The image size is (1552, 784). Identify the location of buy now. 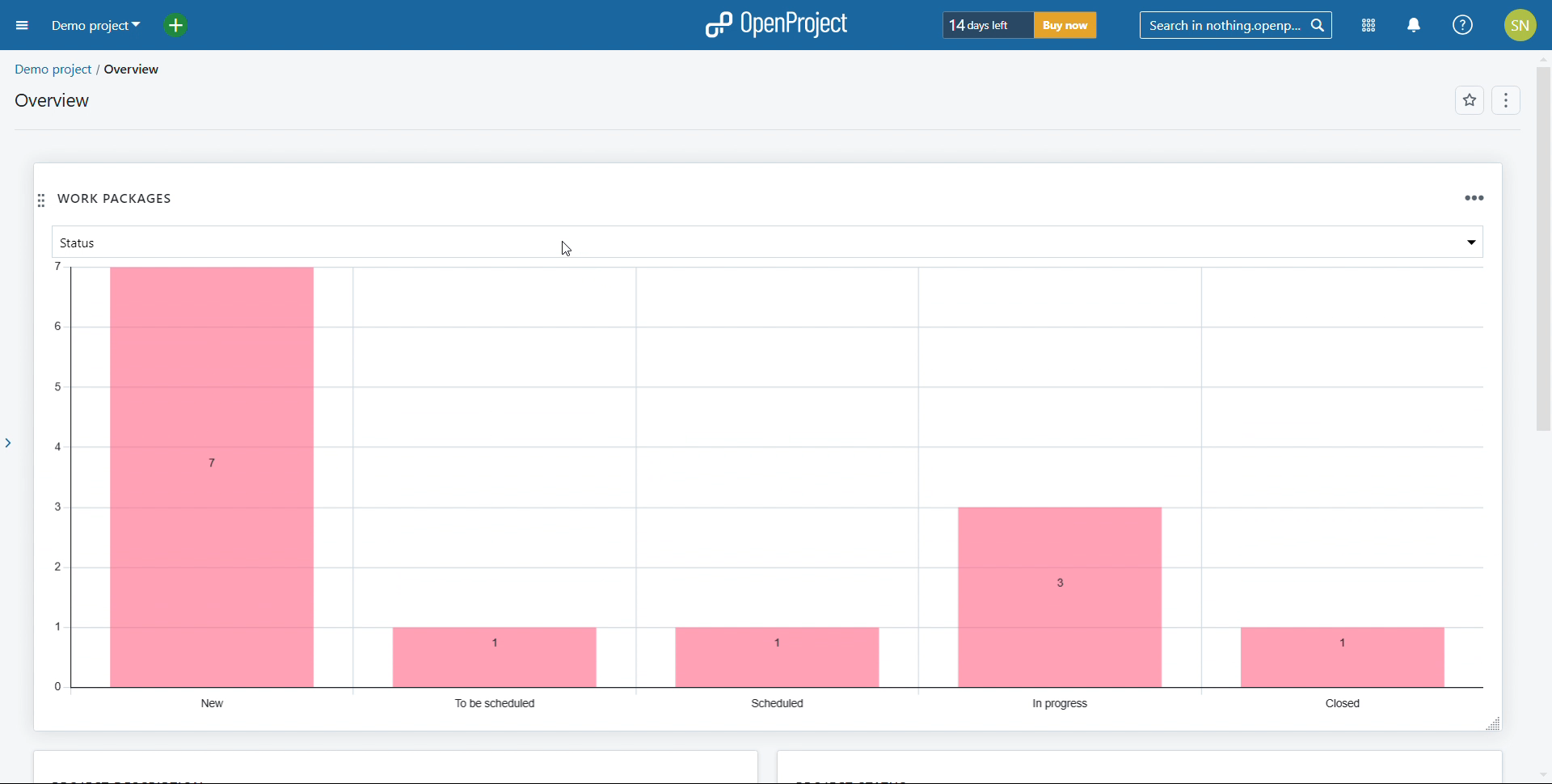
(1065, 25).